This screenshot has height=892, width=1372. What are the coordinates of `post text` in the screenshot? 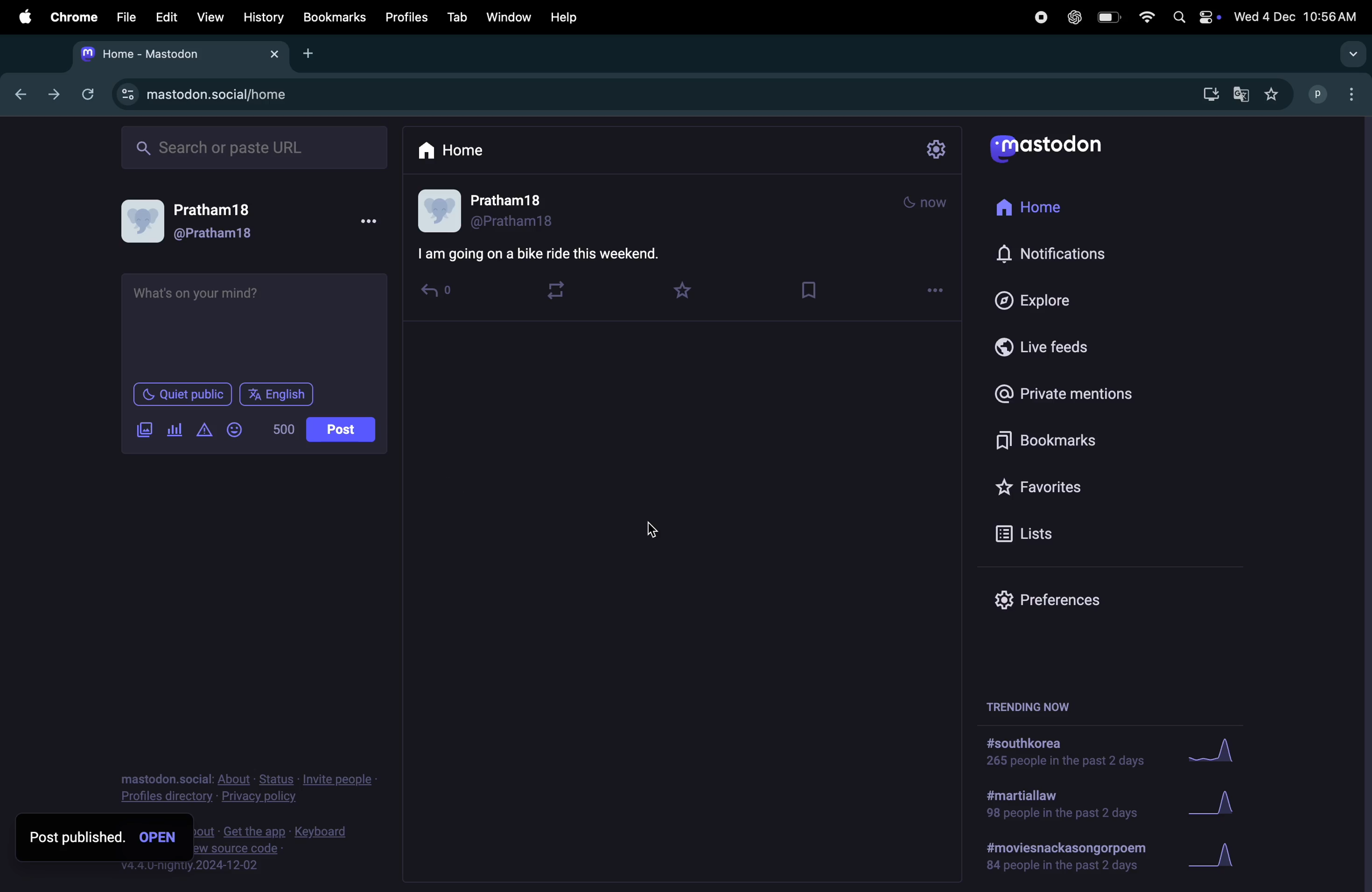 It's located at (550, 255).